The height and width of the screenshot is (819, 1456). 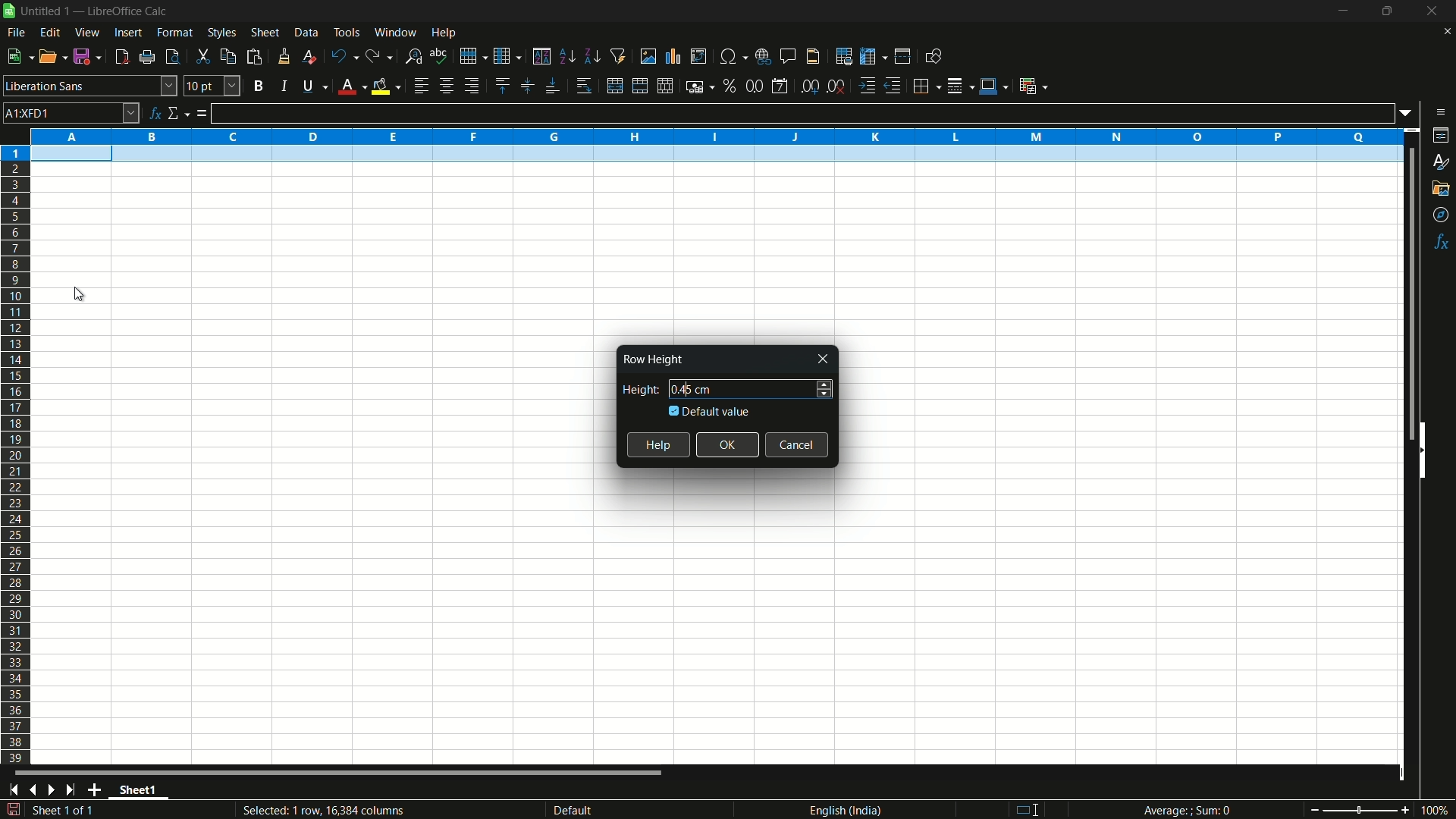 What do you see at coordinates (837, 86) in the screenshot?
I see `delete decimal place` at bounding box center [837, 86].